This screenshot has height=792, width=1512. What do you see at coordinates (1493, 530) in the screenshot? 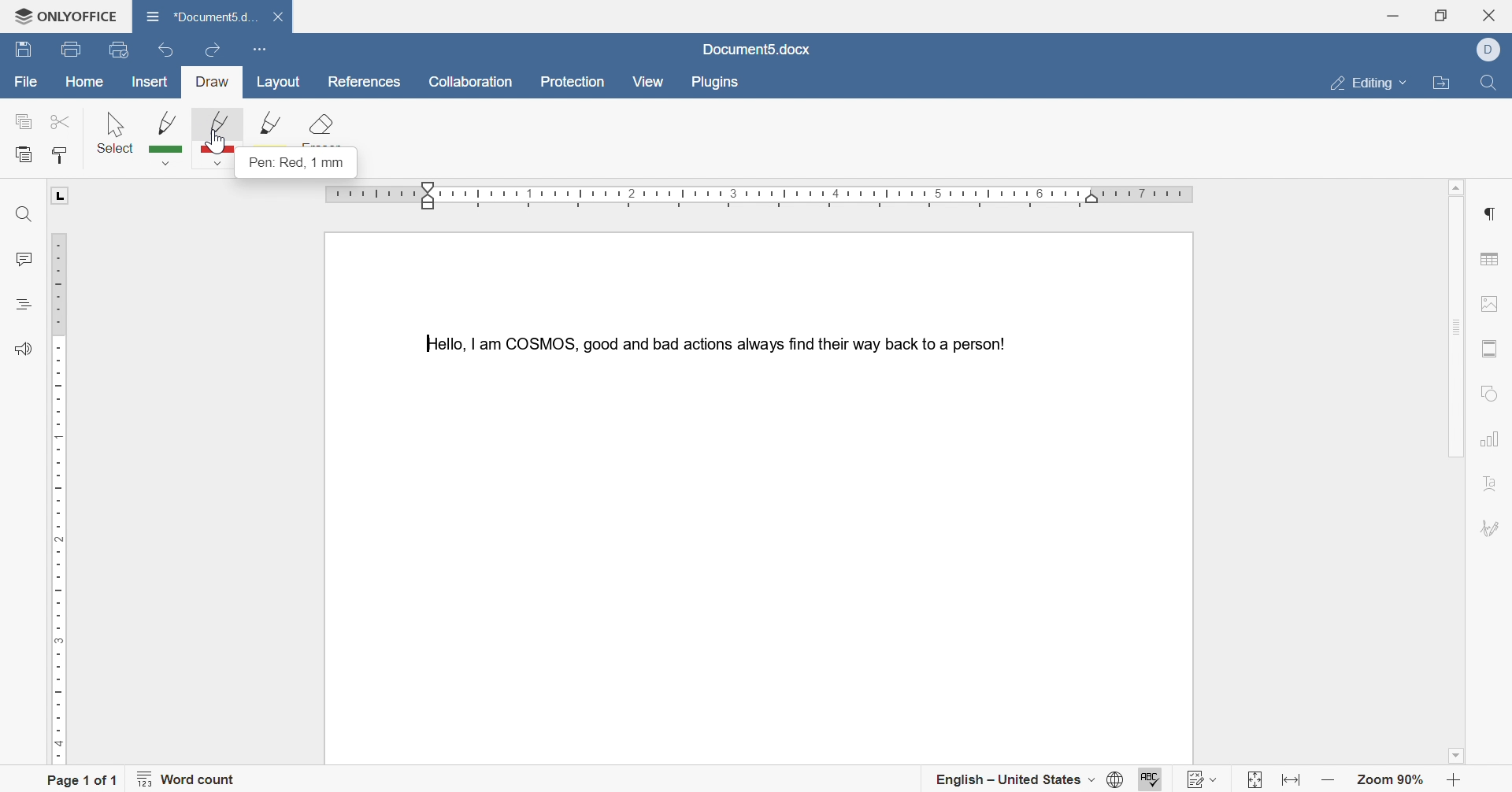
I see `signature settings` at bounding box center [1493, 530].